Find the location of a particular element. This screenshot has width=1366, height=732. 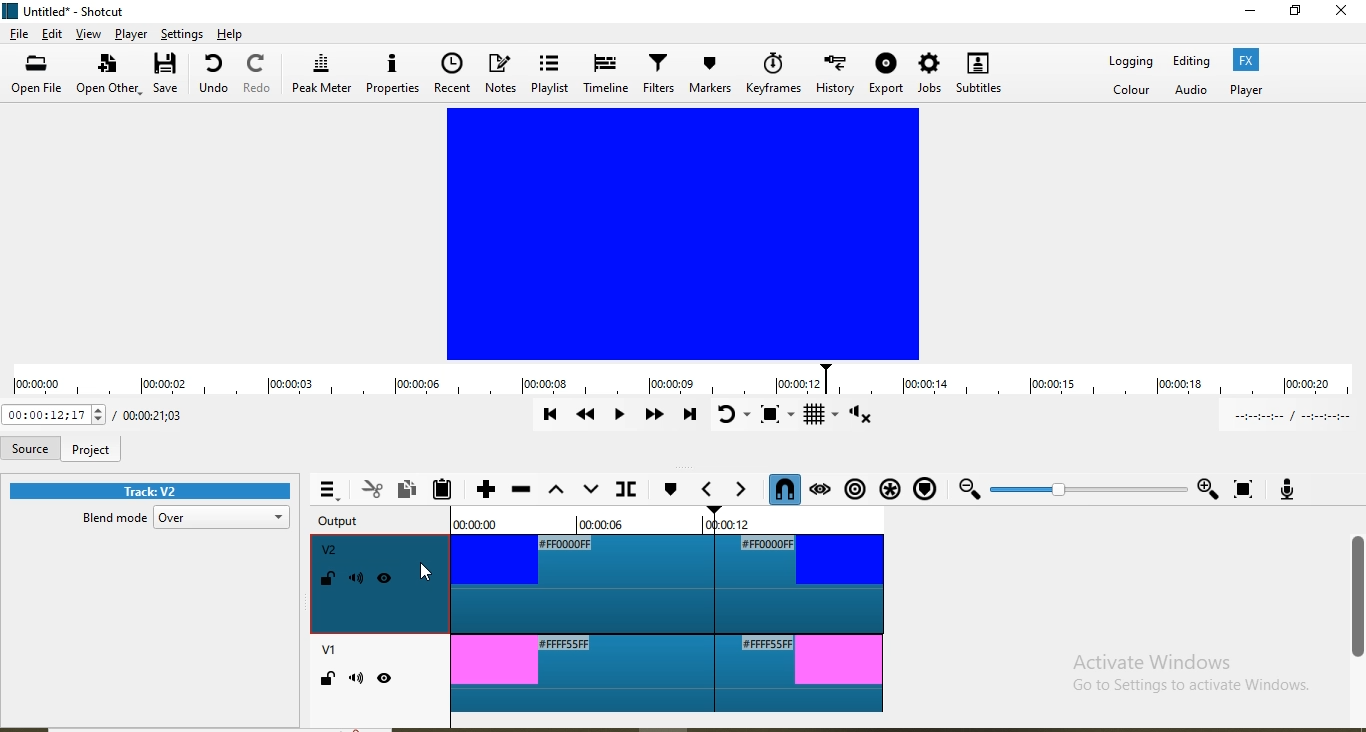

Notes is located at coordinates (501, 77).